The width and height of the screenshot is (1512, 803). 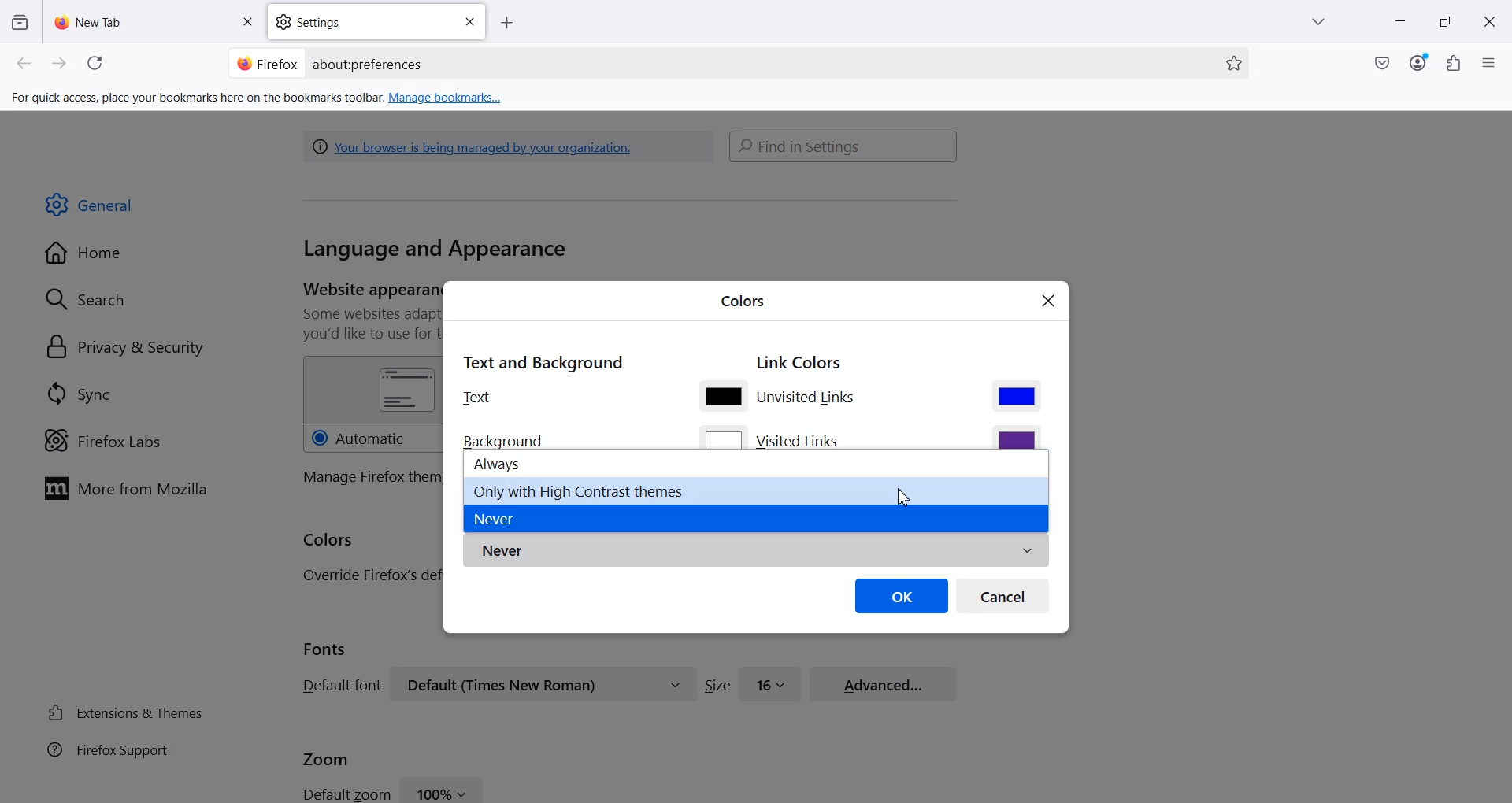 I want to click on Fonts, so click(x=325, y=649).